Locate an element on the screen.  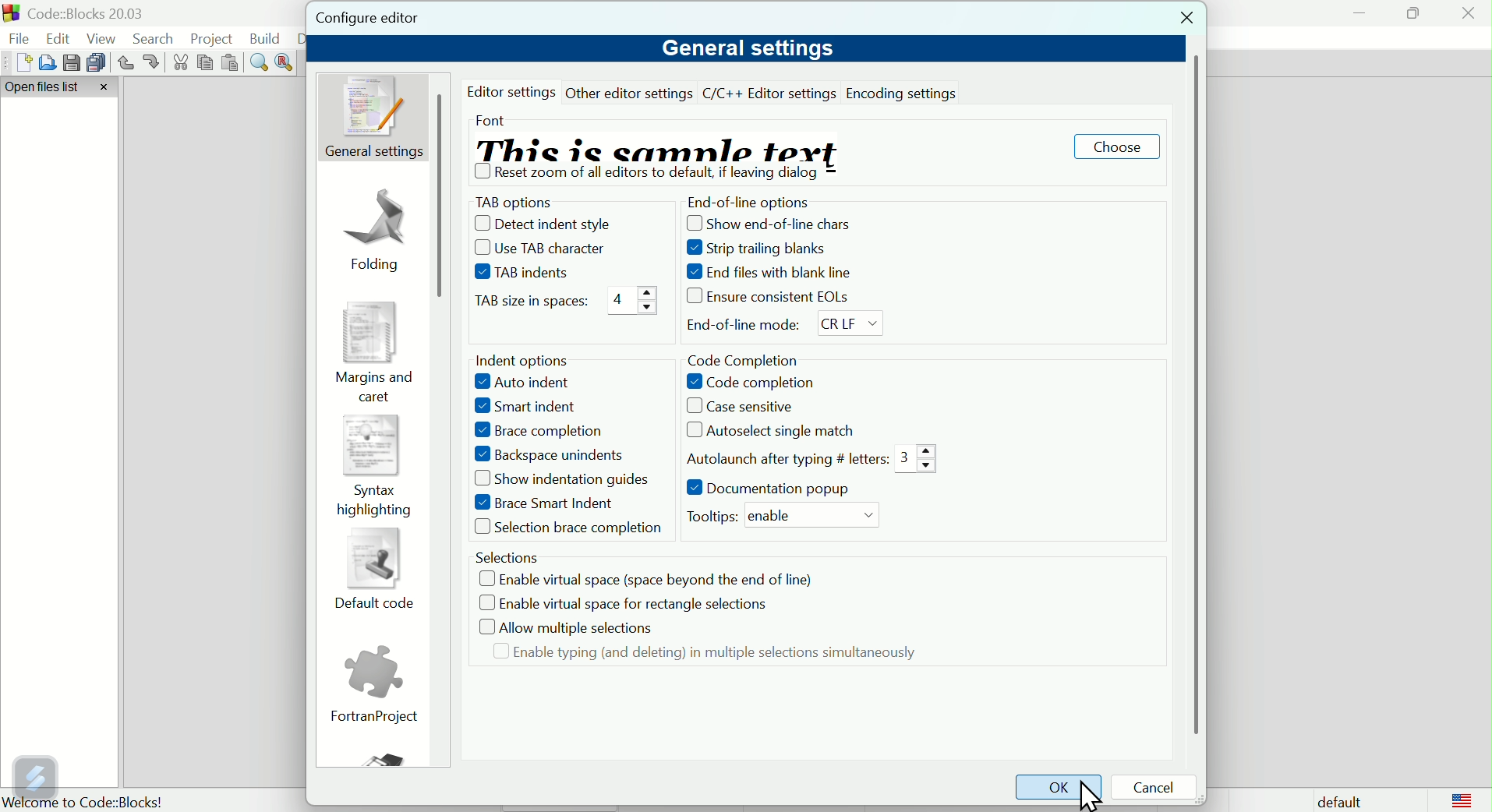
Case sensitive is located at coordinates (746, 405).